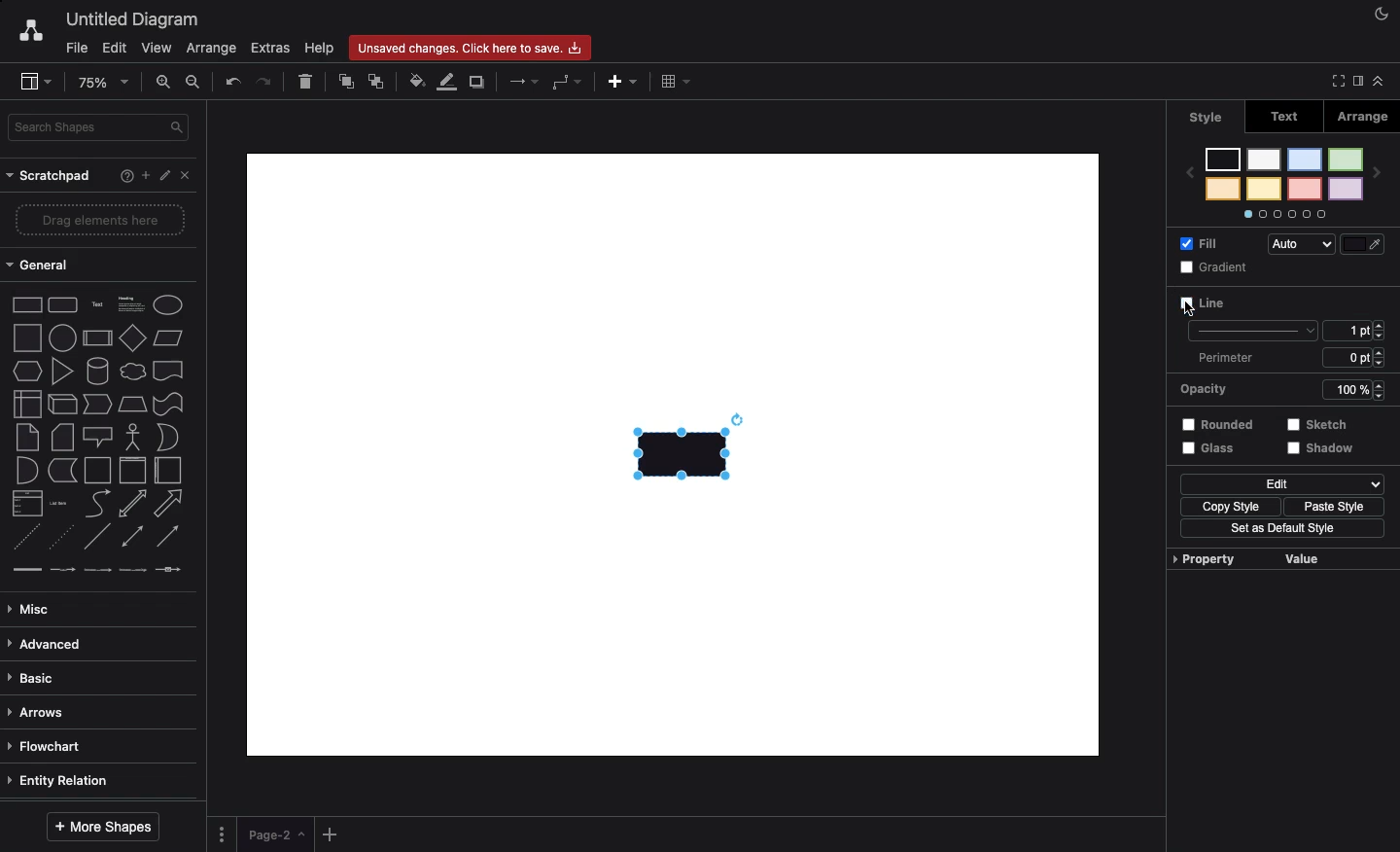 Image resolution: width=1400 pixels, height=852 pixels. Describe the element at coordinates (1220, 424) in the screenshot. I see `Rounded` at that location.